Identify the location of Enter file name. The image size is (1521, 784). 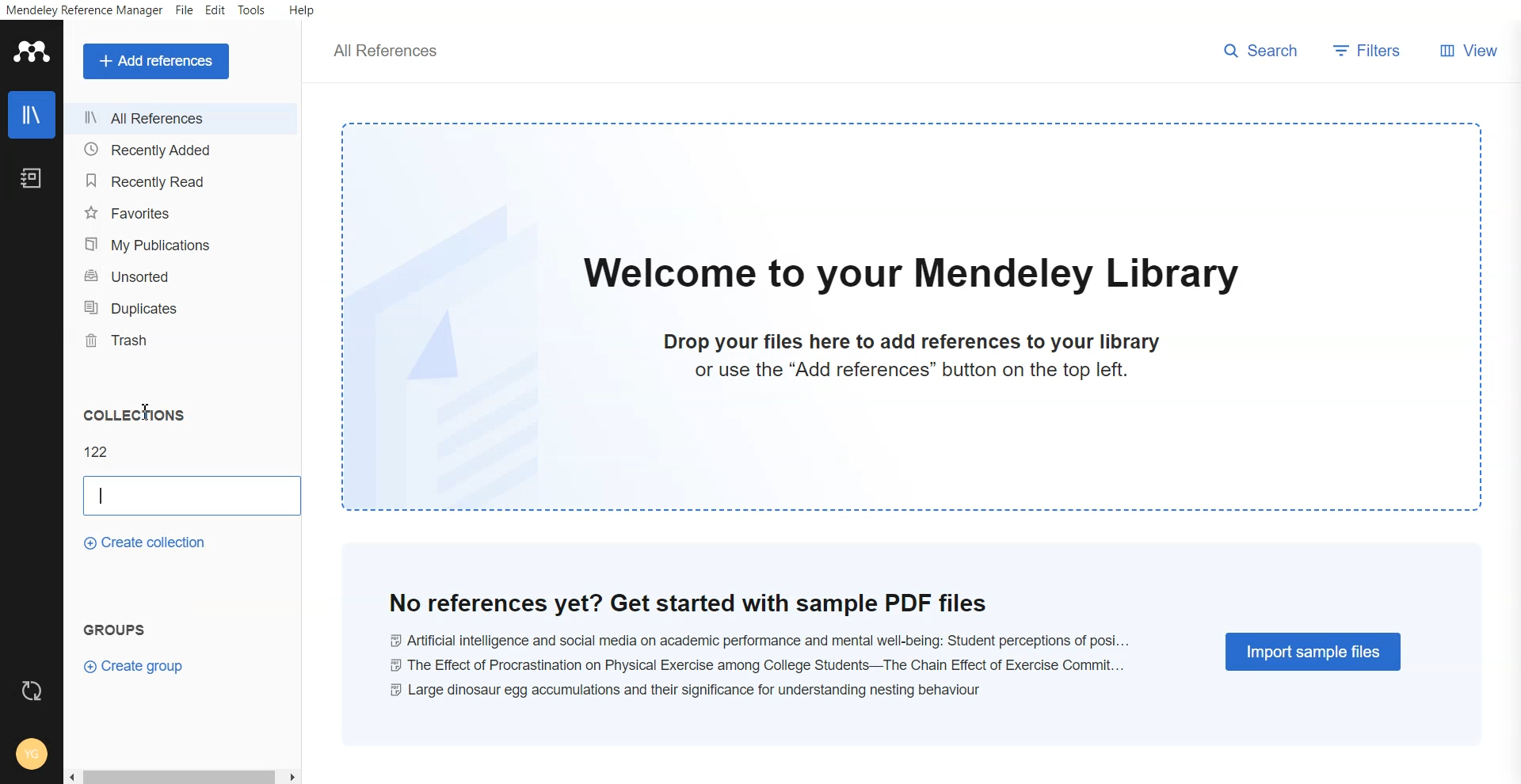
(191, 497).